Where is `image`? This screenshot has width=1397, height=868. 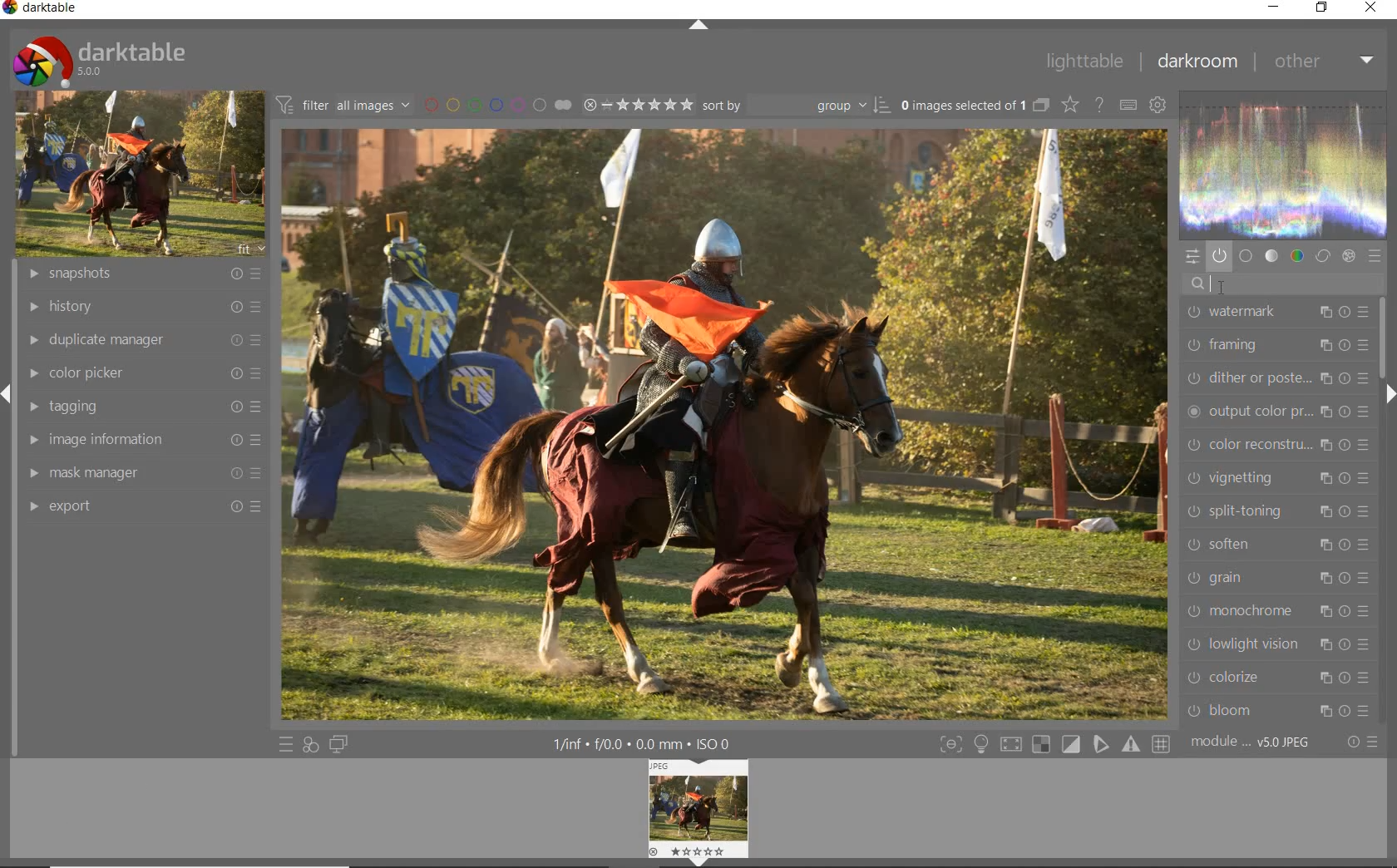
image is located at coordinates (136, 175).